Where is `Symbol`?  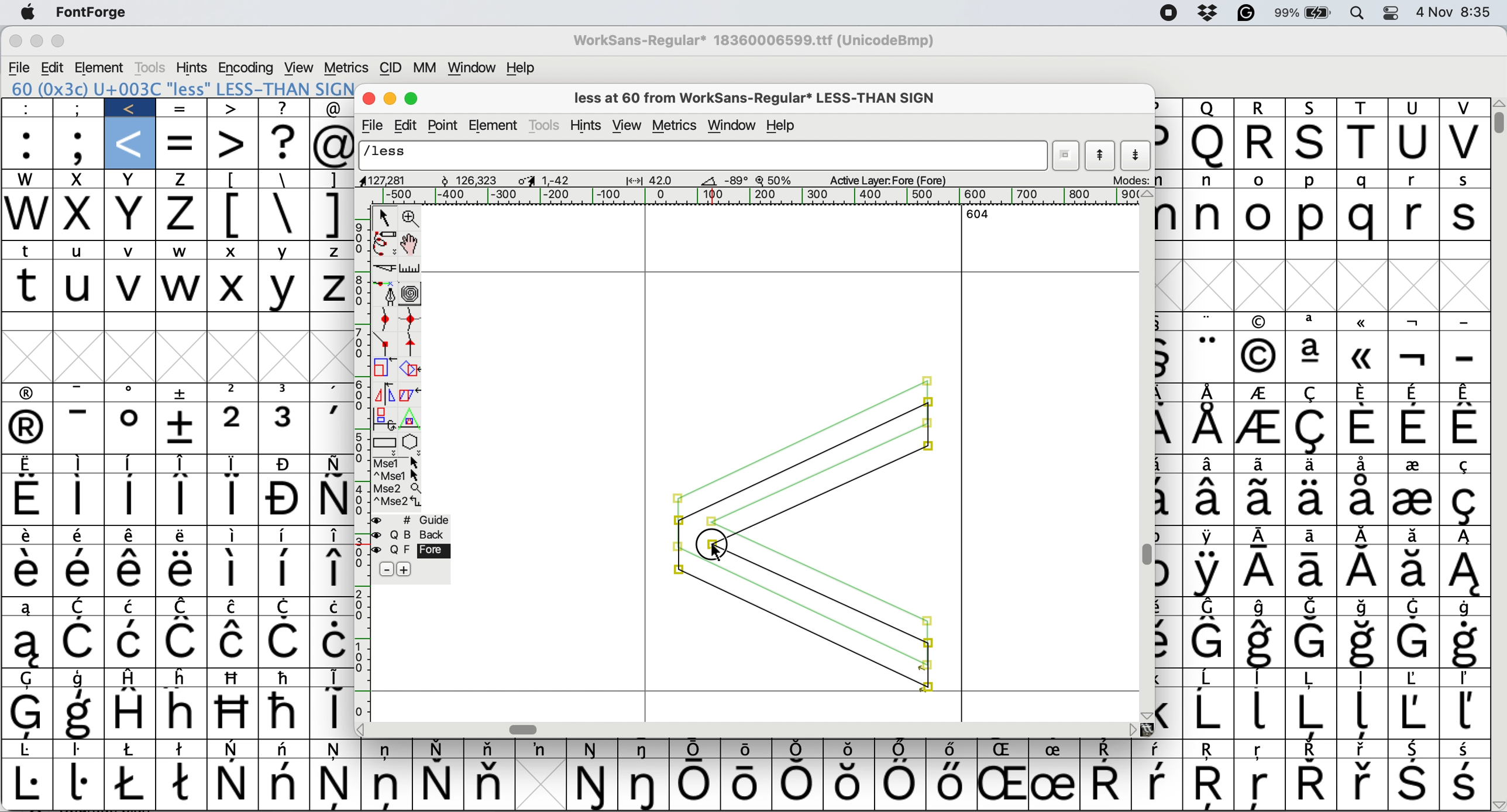
Symbol is located at coordinates (81, 783).